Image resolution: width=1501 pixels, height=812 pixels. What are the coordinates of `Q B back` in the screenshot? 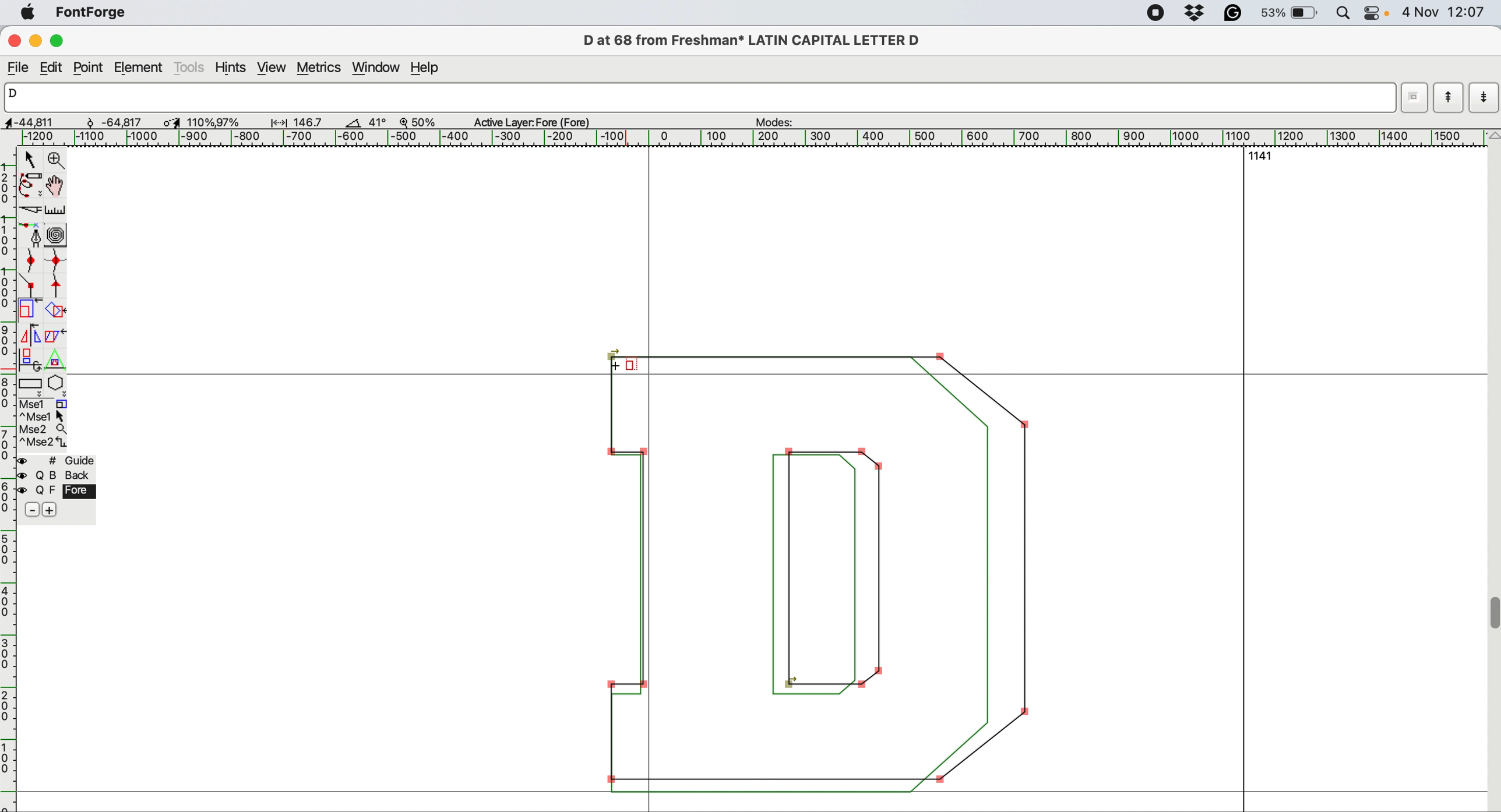 It's located at (60, 476).